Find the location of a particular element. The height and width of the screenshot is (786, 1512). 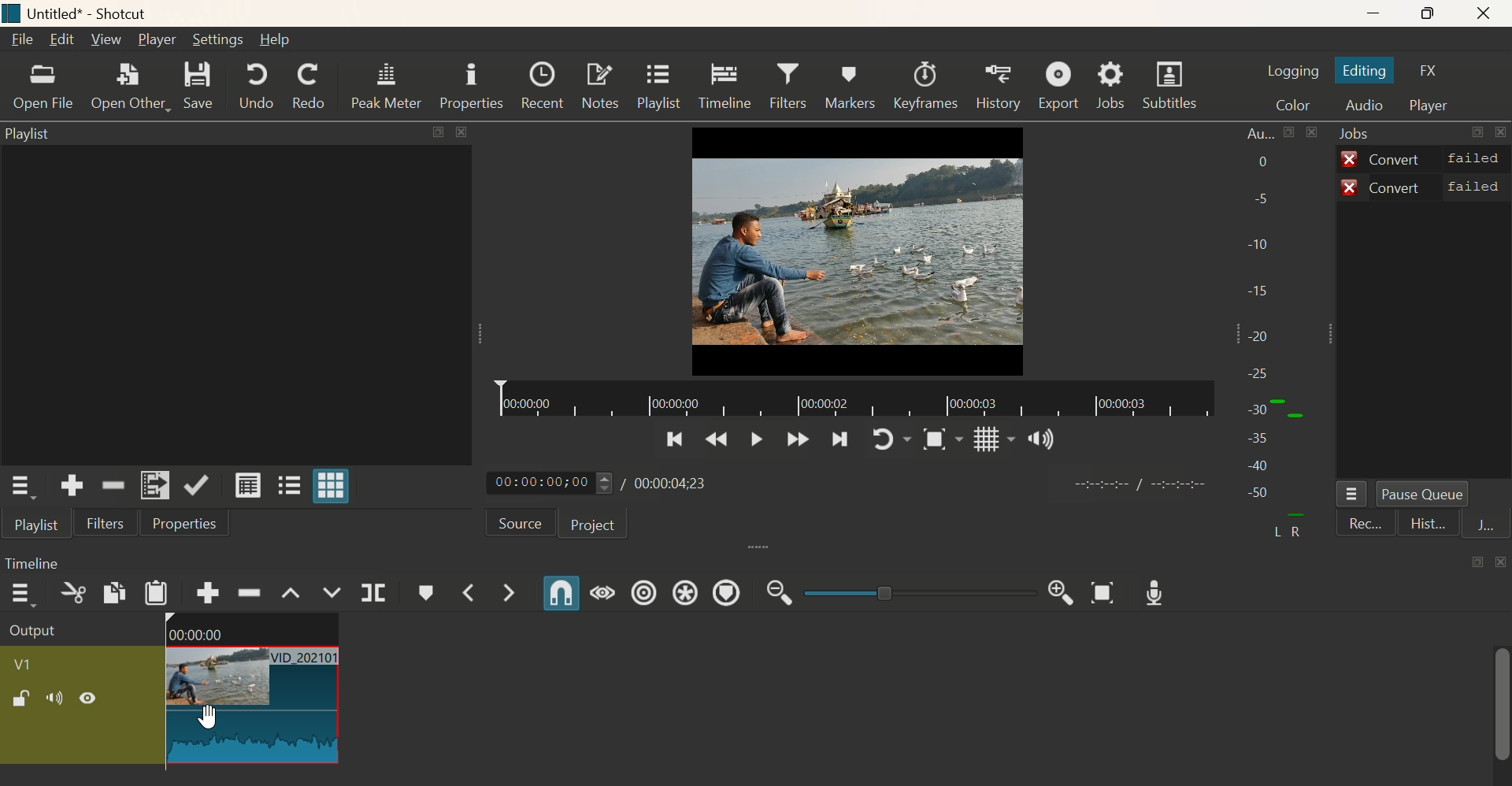

Properties is located at coordinates (470, 87).